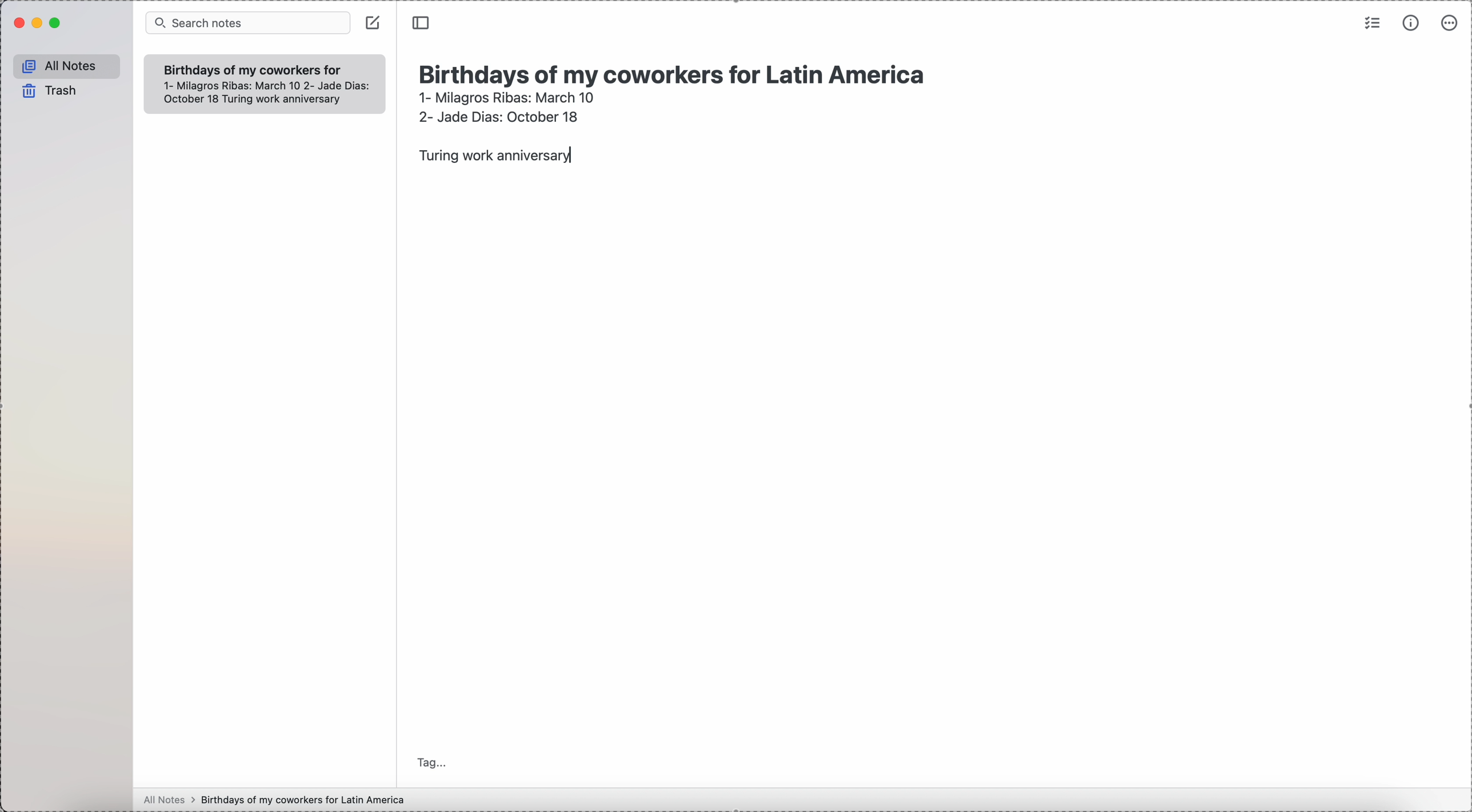 Image resolution: width=1472 pixels, height=812 pixels. I want to click on more options, so click(1451, 22).